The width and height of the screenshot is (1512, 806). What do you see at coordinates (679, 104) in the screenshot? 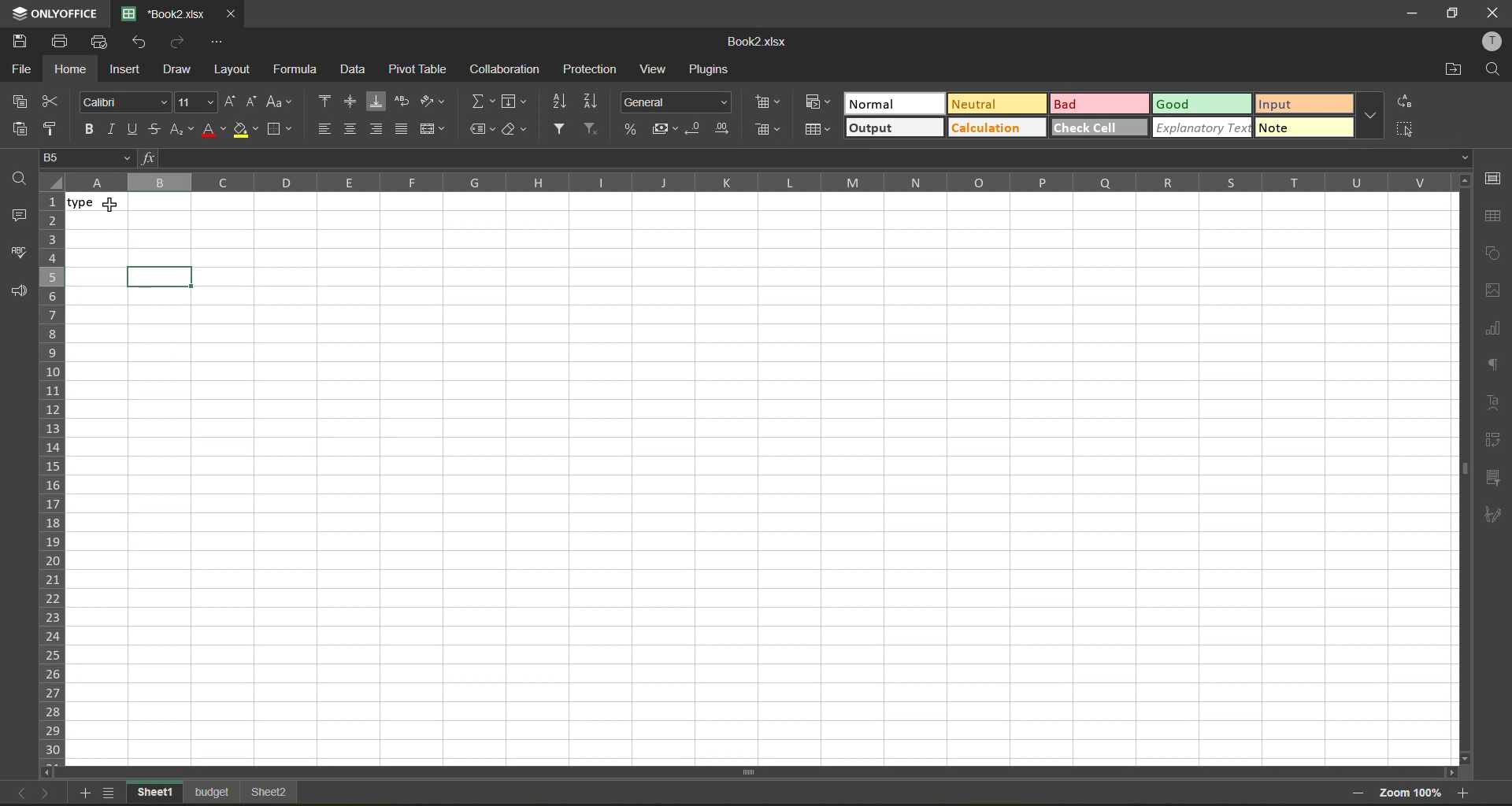
I see `number format` at bounding box center [679, 104].